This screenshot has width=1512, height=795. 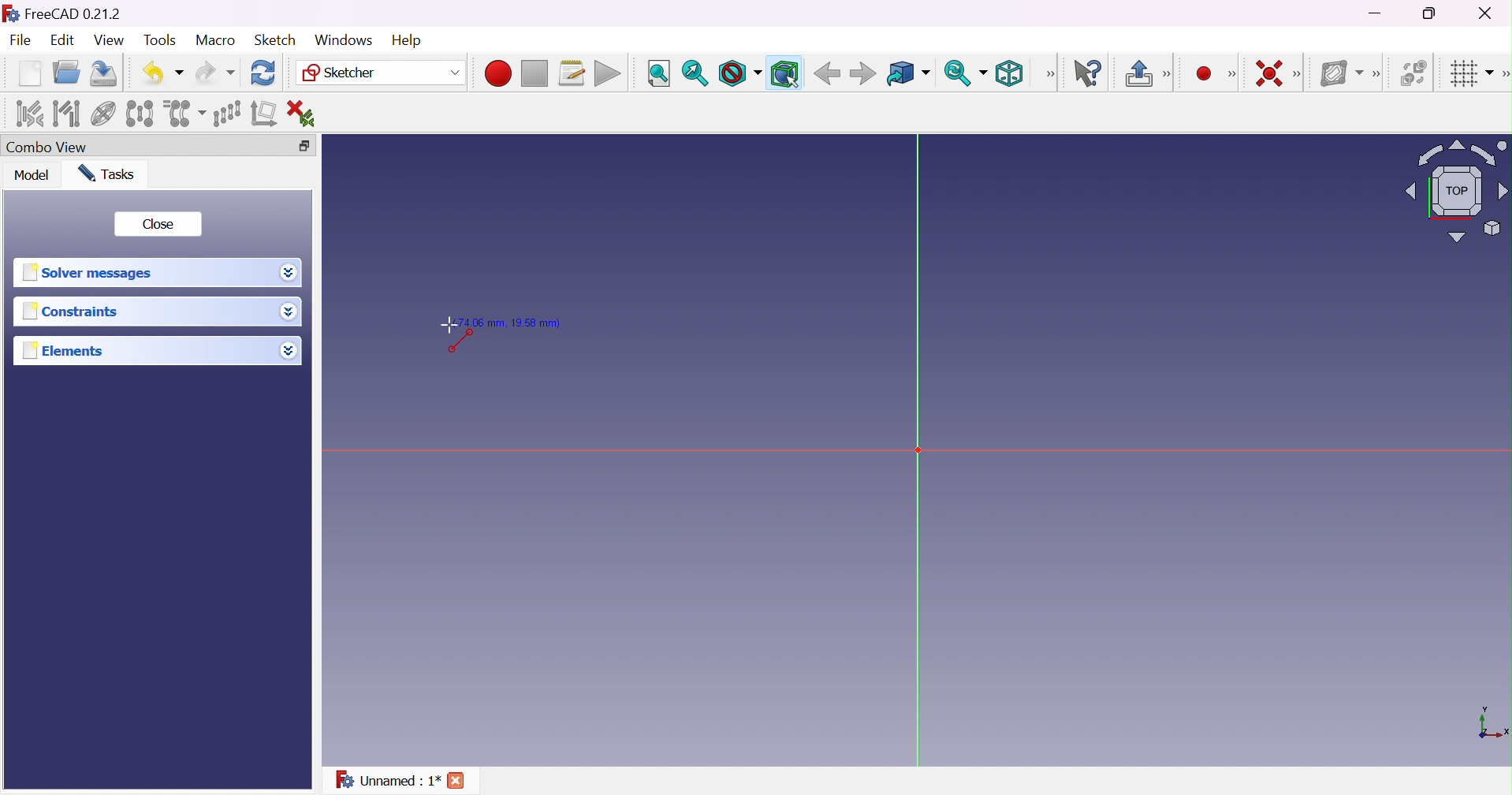 What do you see at coordinates (1300, 74) in the screenshot?
I see `[Sketcher constraints]` at bounding box center [1300, 74].